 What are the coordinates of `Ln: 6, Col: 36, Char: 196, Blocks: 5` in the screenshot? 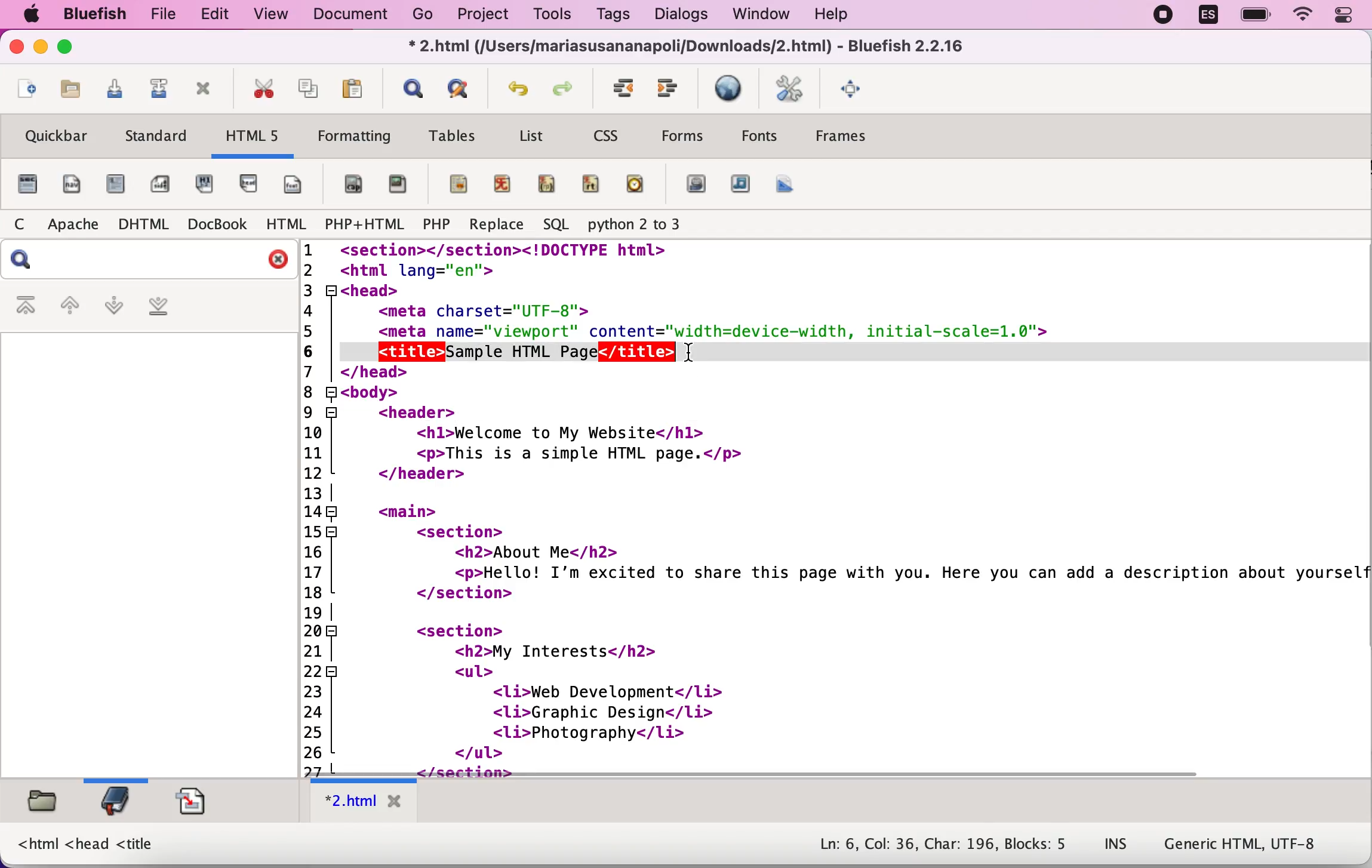 It's located at (941, 840).